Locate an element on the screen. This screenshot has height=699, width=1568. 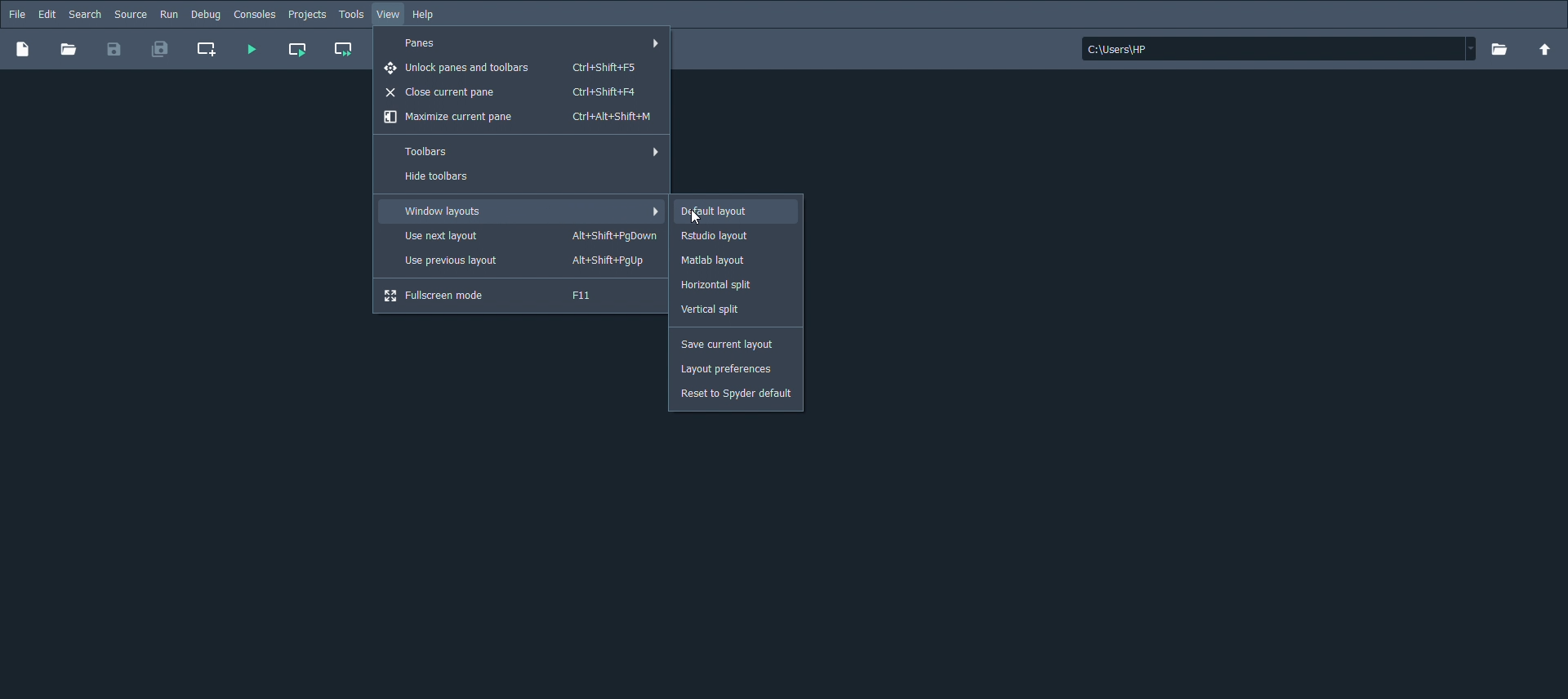
Tools is located at coordinates (351, 15).